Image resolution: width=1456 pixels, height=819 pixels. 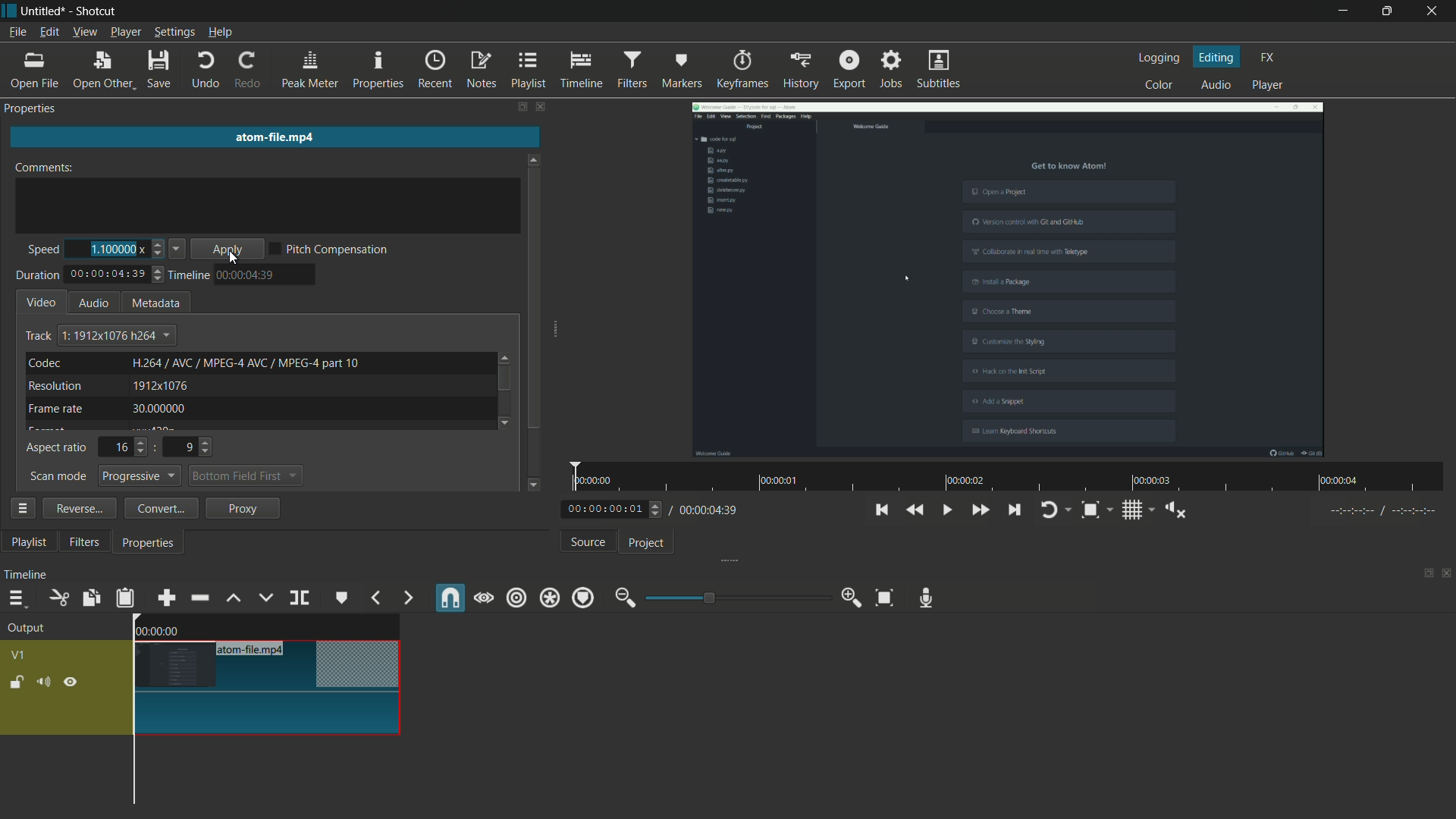 What do you see at coordinates (42, 682) in the screenshot?
I see `mute` at bounding box center [42, 682].